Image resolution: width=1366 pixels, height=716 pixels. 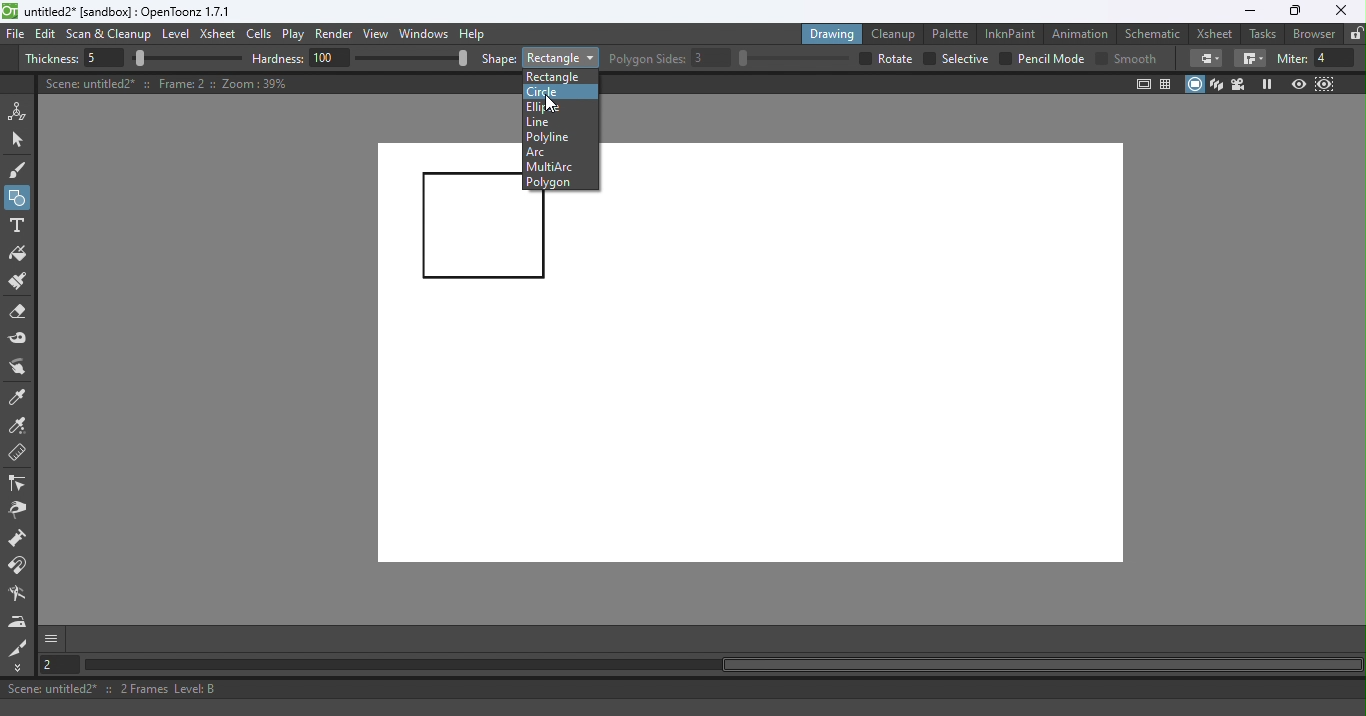 What do you see at coordinates (10, 11) in the screenshot?
I see `logo` at bounding box center [10, 11].